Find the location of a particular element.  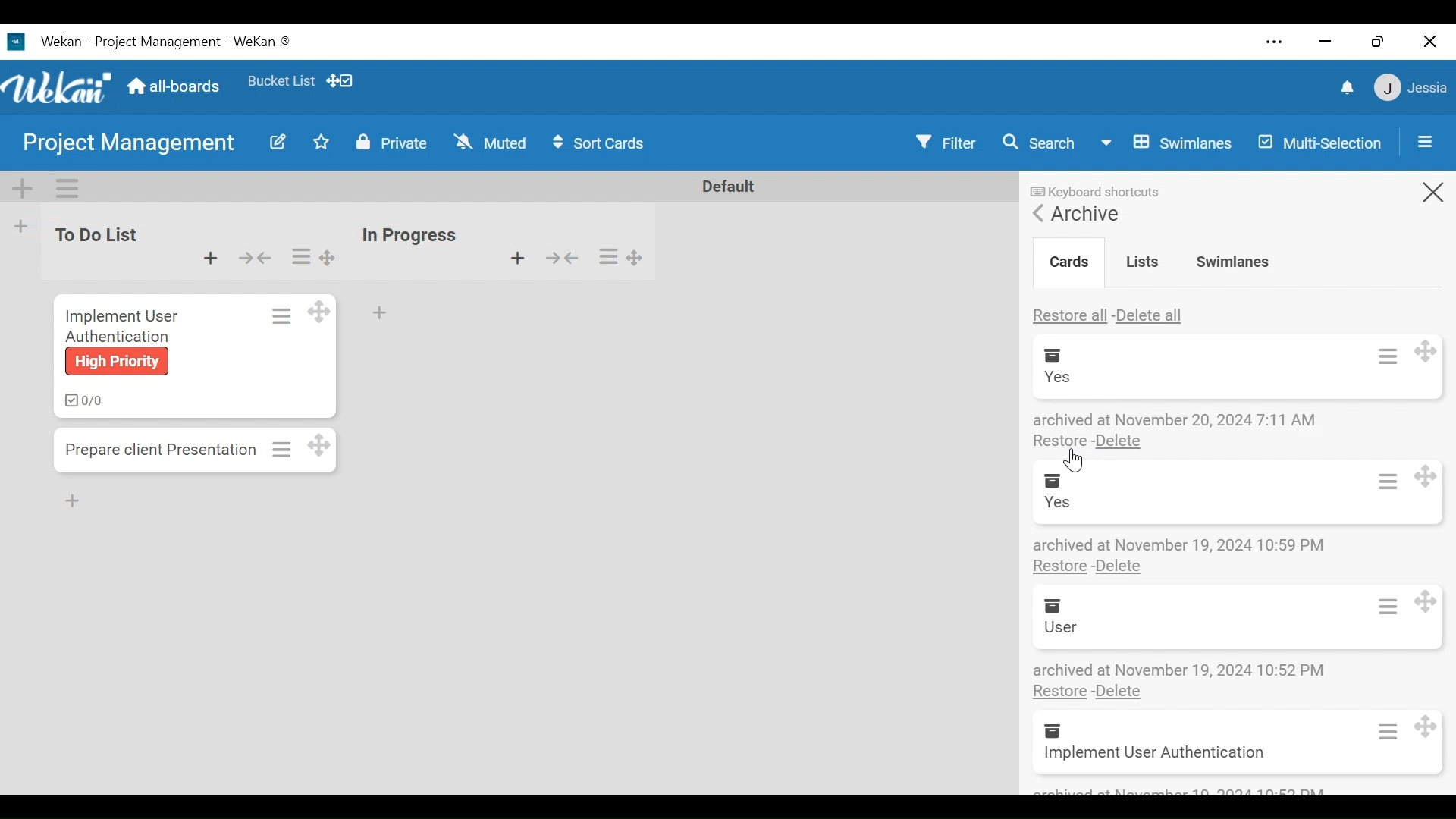

member menu is located at coordinates (1409, 86).